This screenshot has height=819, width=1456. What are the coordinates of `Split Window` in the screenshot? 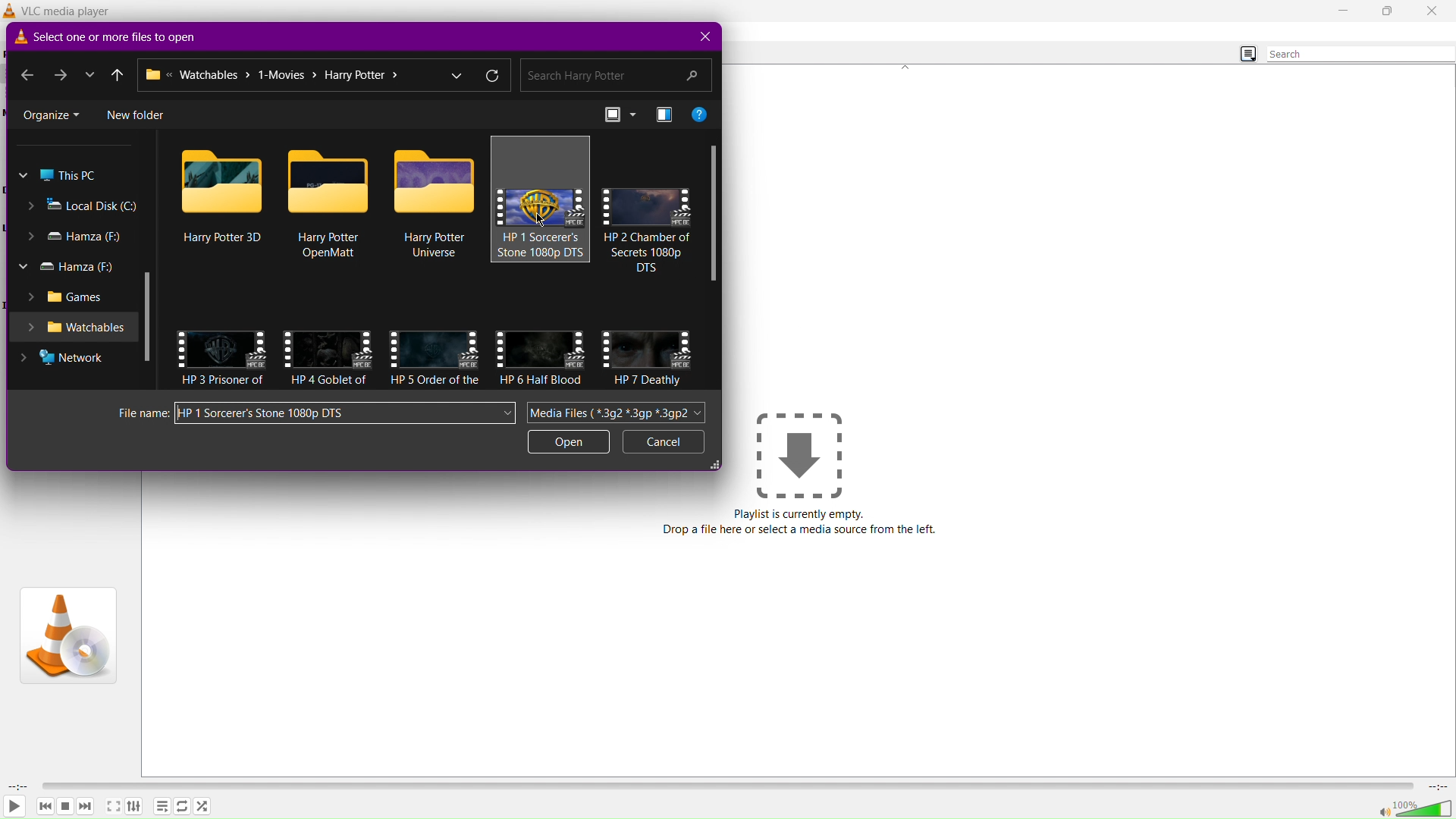 It's located at (664, 115).